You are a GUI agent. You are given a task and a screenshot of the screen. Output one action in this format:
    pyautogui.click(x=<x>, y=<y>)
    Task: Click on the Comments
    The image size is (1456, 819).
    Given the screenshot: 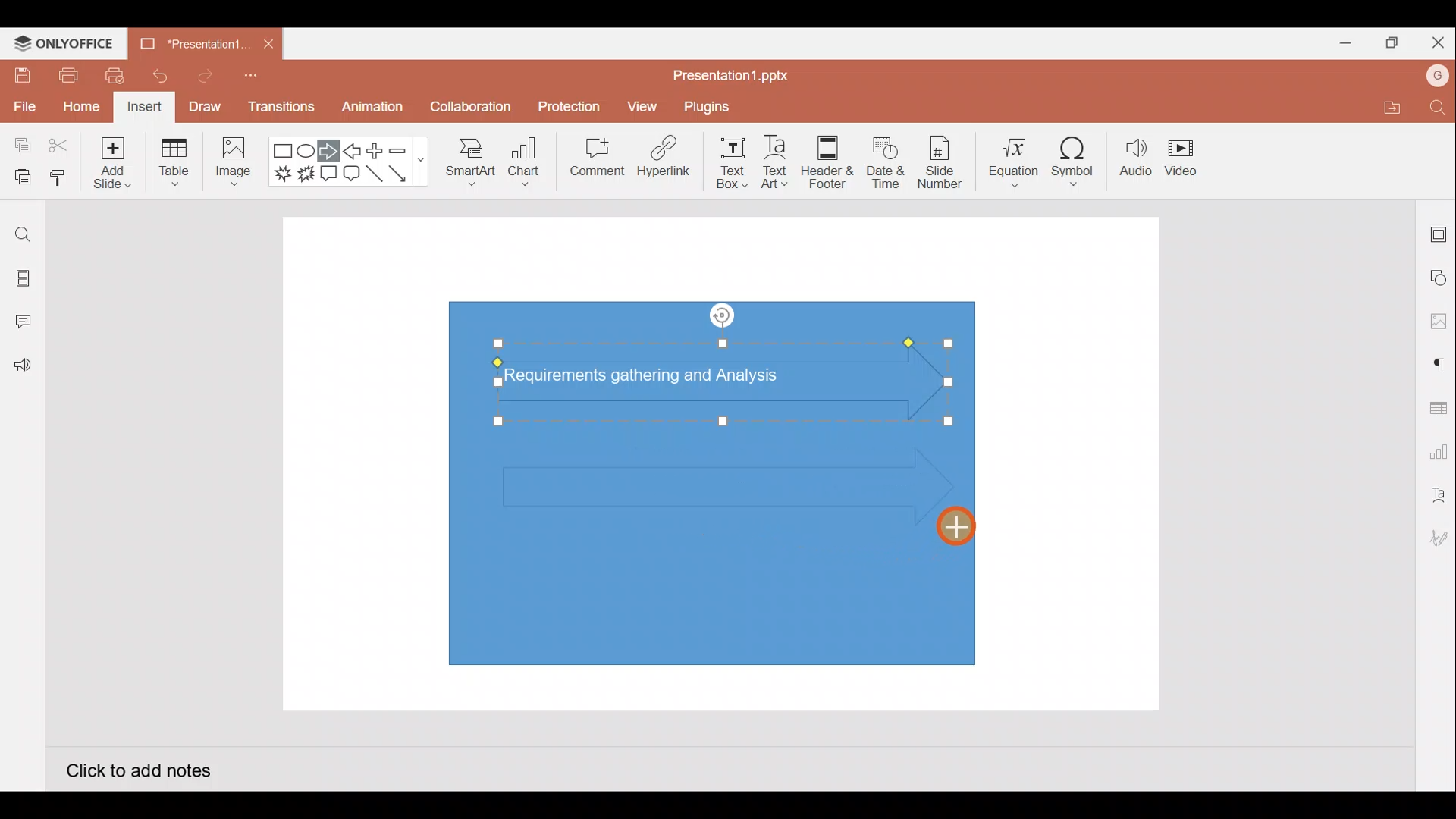 What is the action you would take?
    pyautogui.click(x=27, y=323)
    